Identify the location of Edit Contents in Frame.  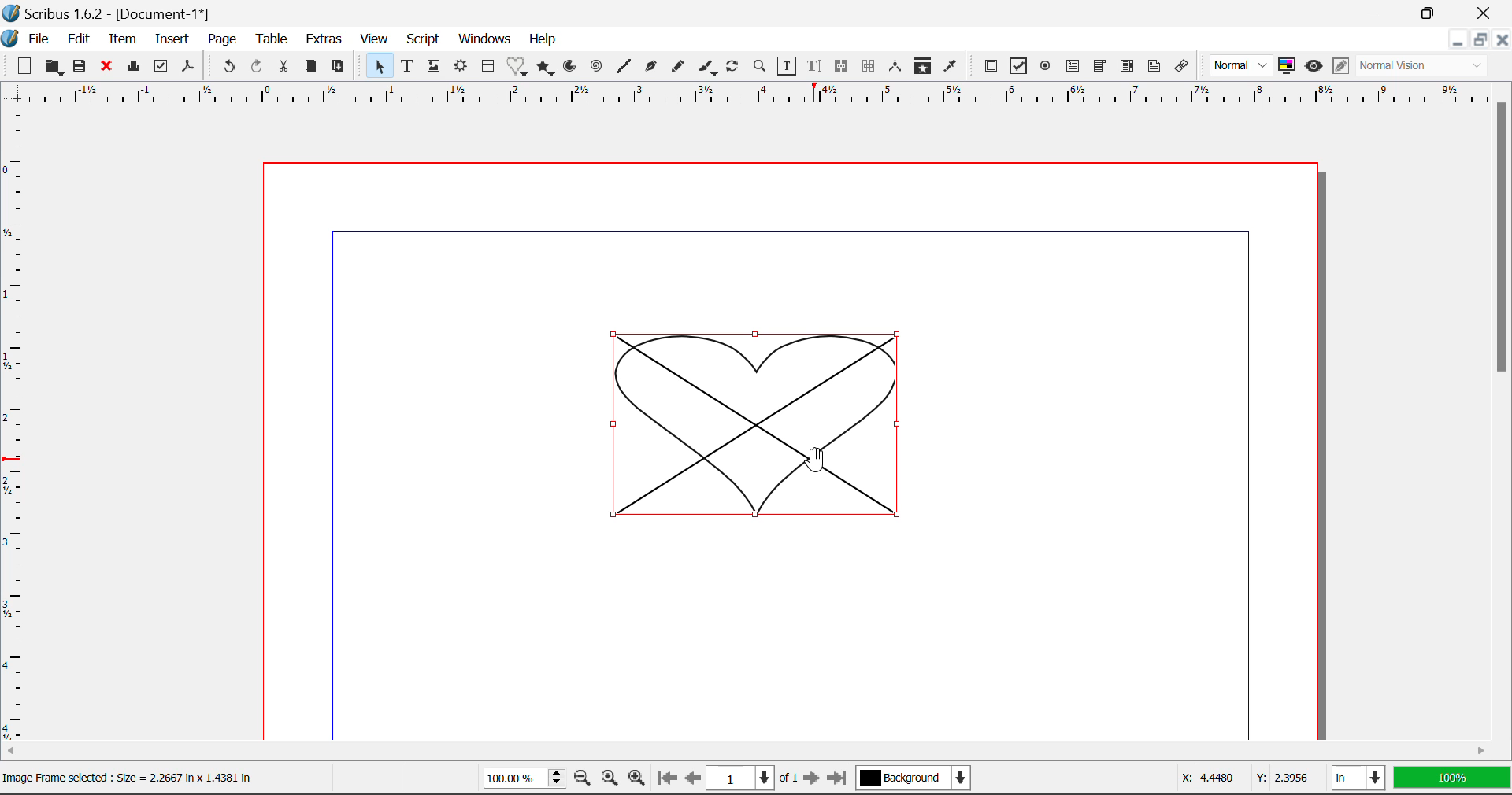
(788, 66).